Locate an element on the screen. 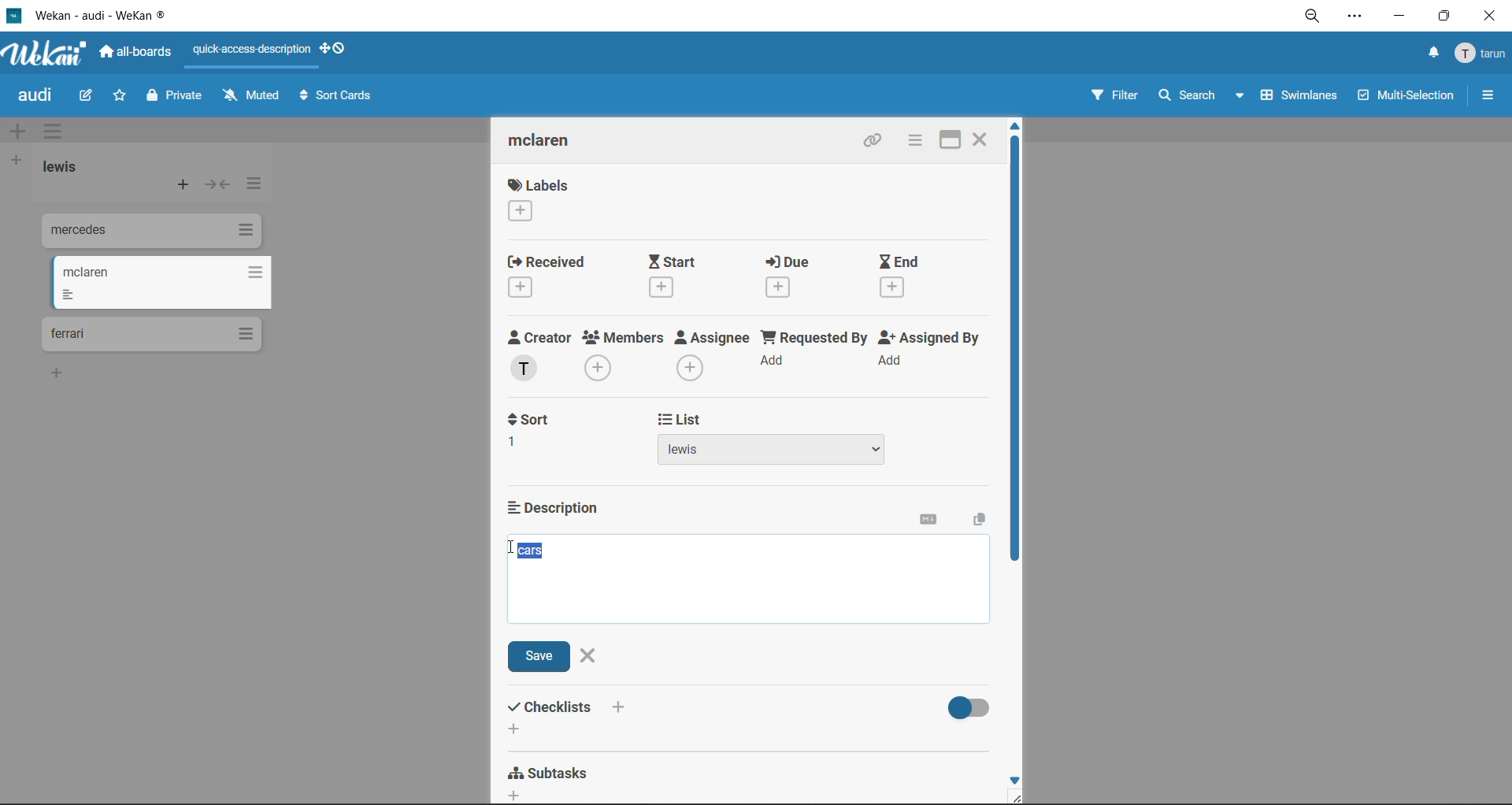 The width and height of the screenshot is (1512, 805). assignee is located at coordinates (713, 355).